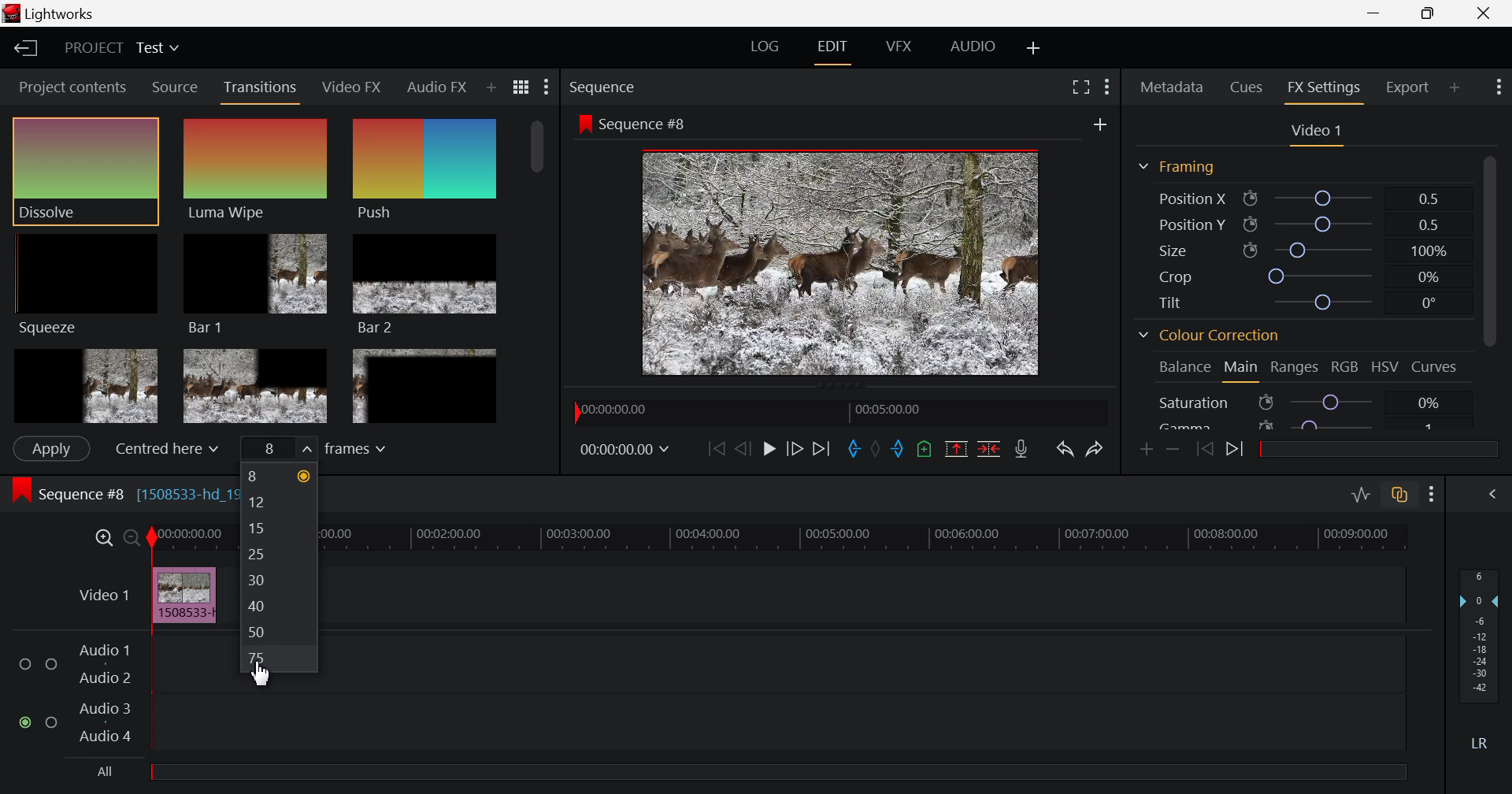 This screenshot has width=1512, height=794. Describe the element at coordinates (1432, 497) in the screenshot. I see `Show Settings` at that location.